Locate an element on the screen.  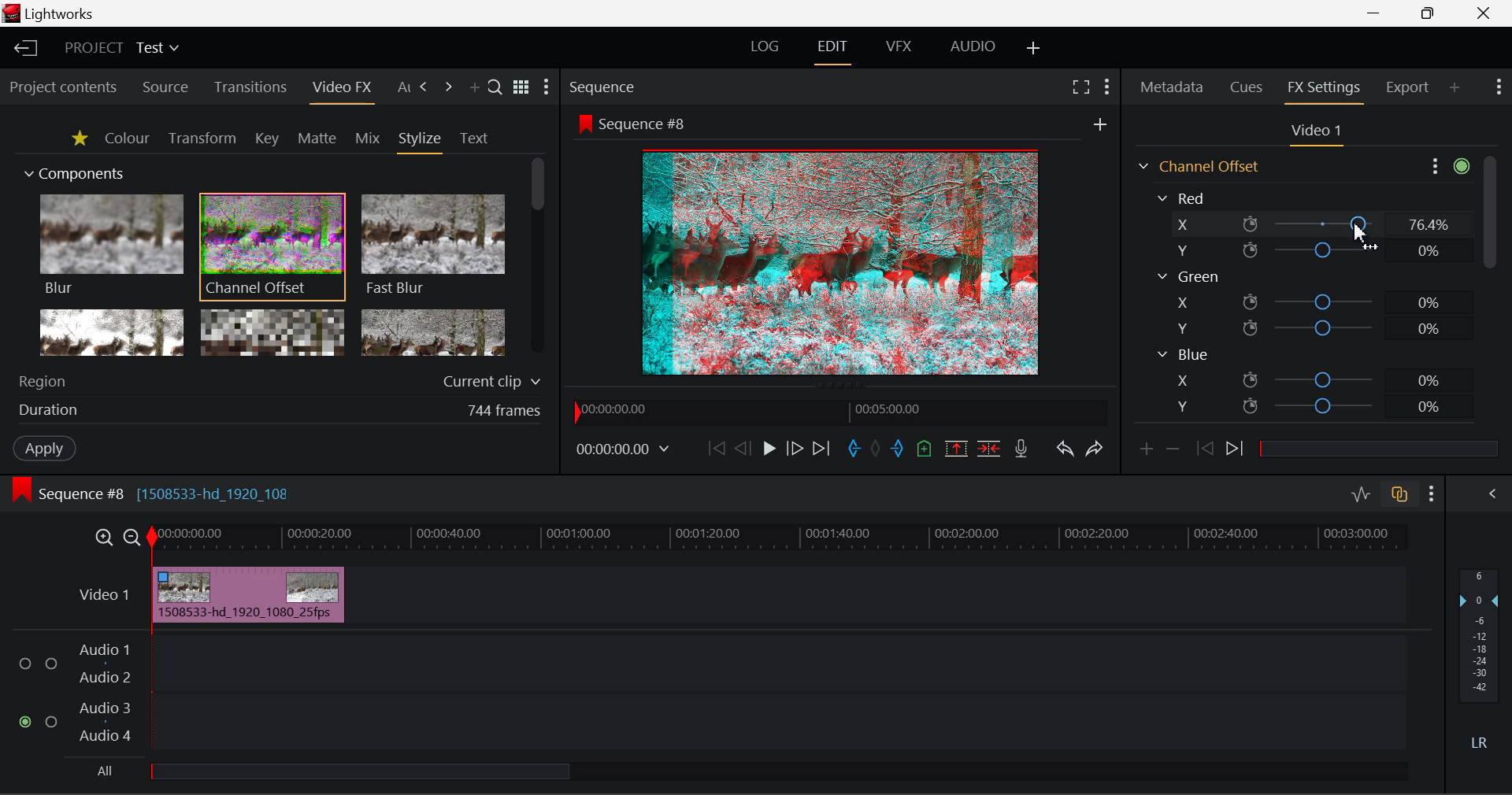
Frame Time is located at coordinates (623, 451).